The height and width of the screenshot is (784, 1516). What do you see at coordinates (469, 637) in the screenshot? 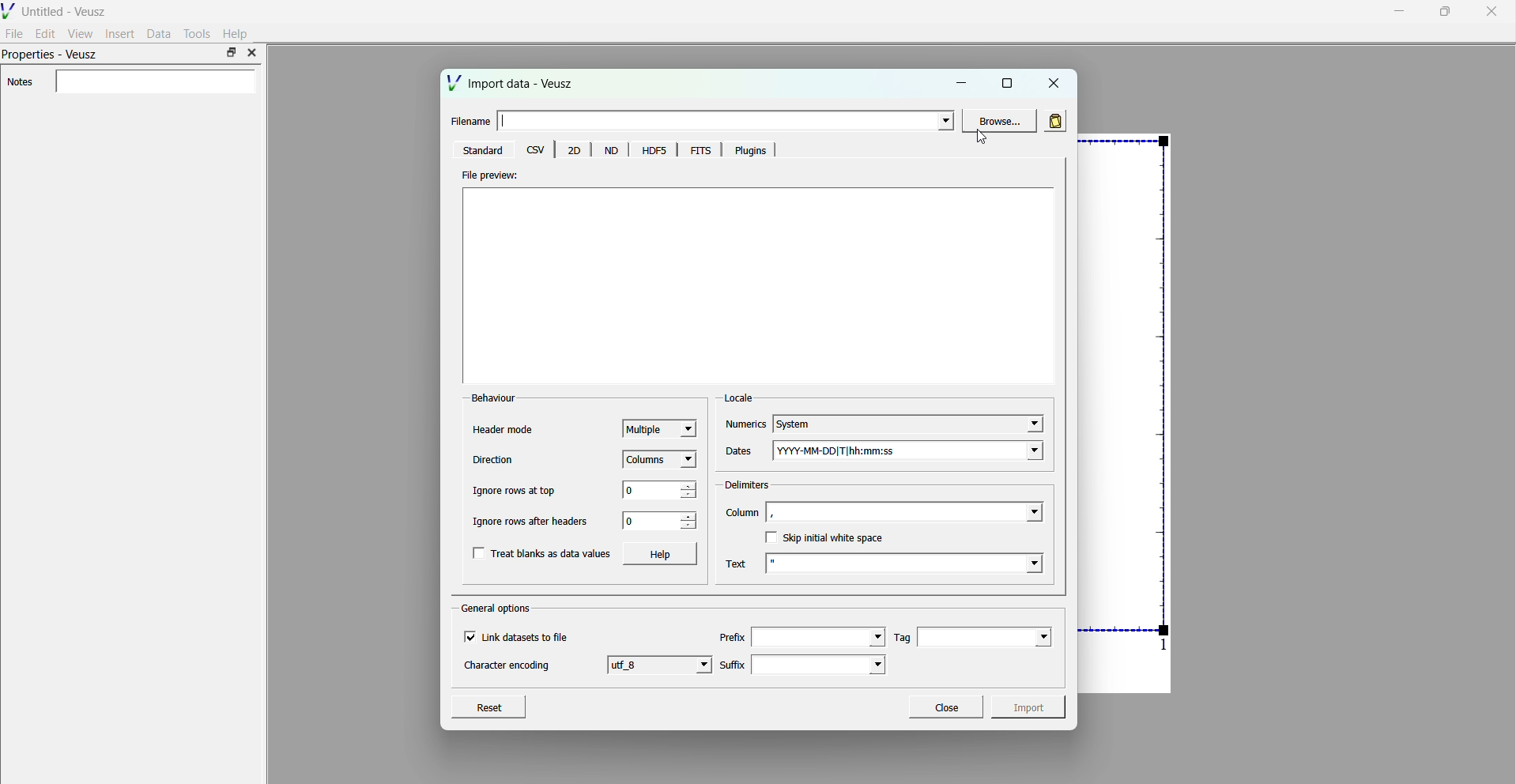
I see `checkbox` at bounding box center [469, 637].